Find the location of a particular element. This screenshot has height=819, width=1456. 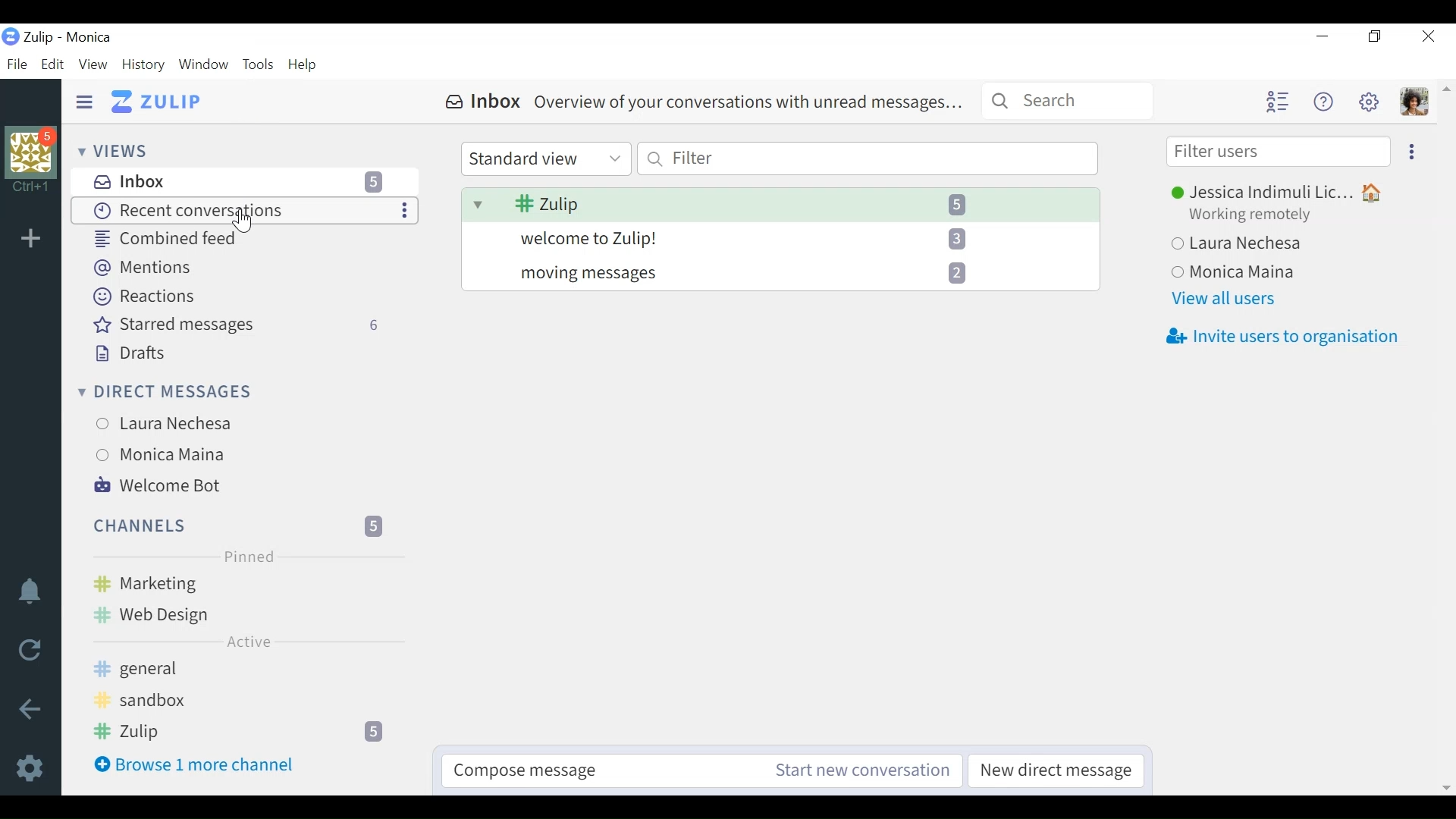

Search is located at coordinates (1068, 99).